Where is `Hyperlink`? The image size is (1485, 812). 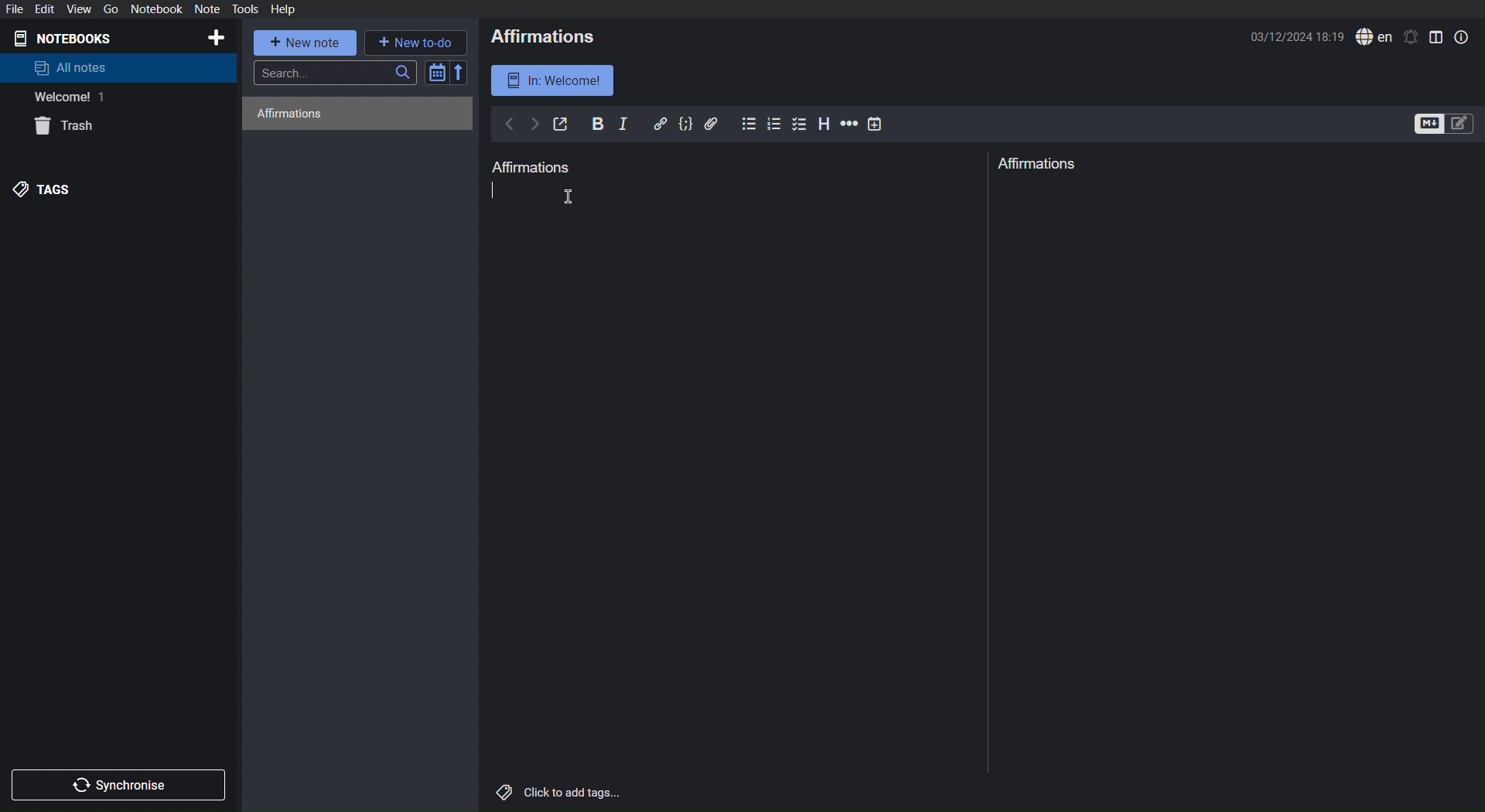 Hyperlink is located at coordinates (661, 124).